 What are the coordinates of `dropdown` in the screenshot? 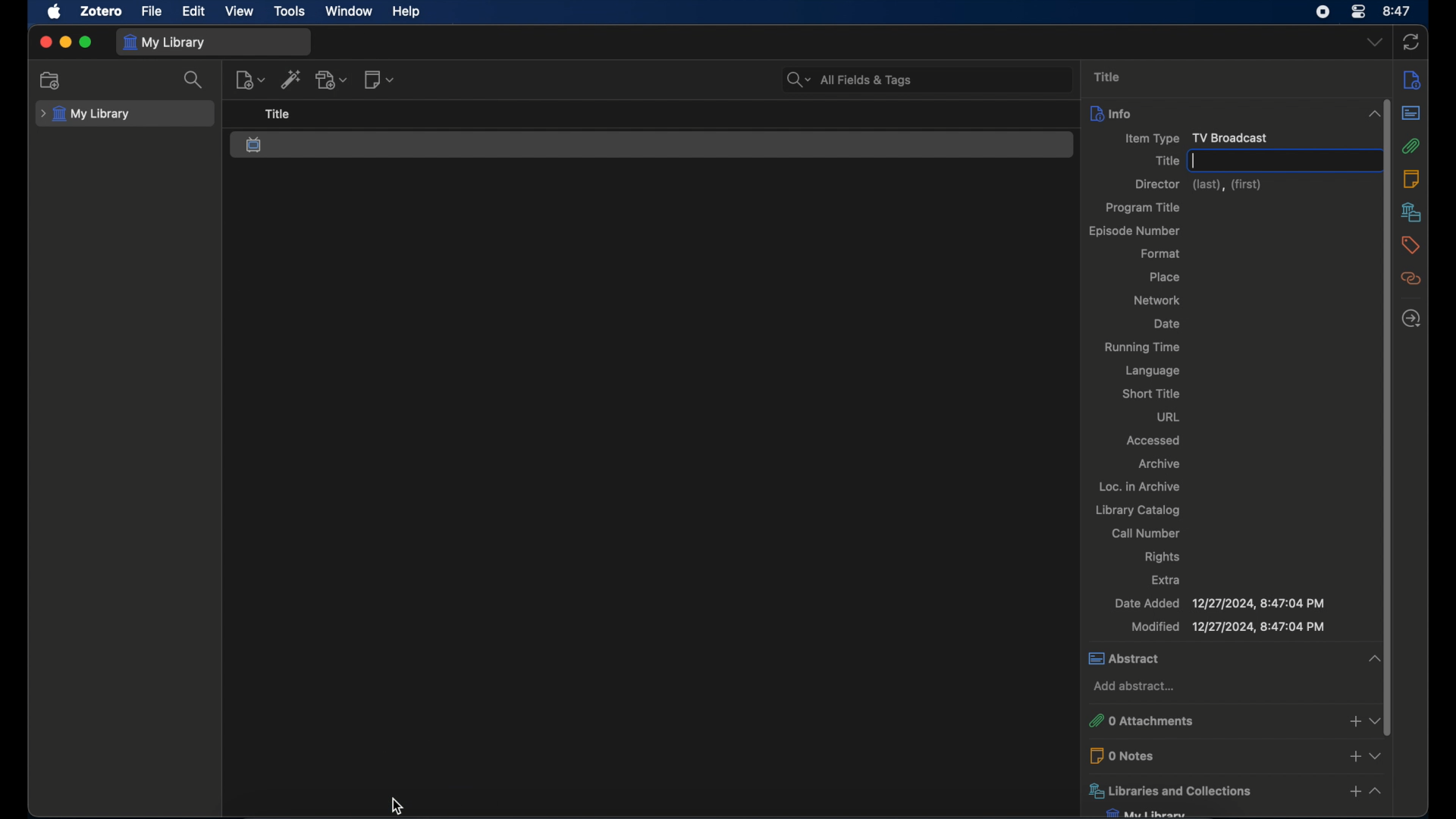 It's located at (1378, 754).